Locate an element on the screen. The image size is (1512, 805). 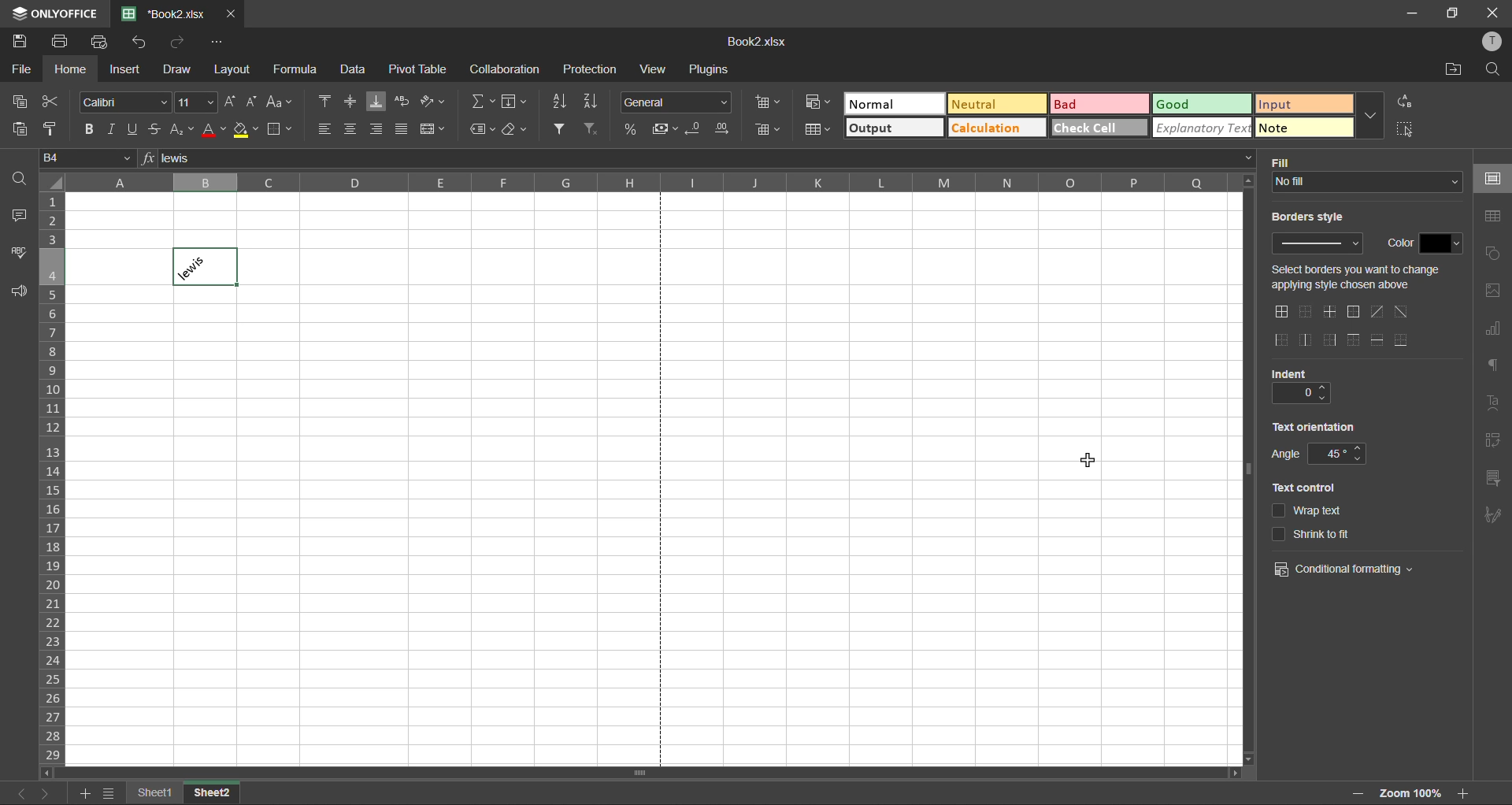
only middle border horizontal is located at coordinates (1328, 312).